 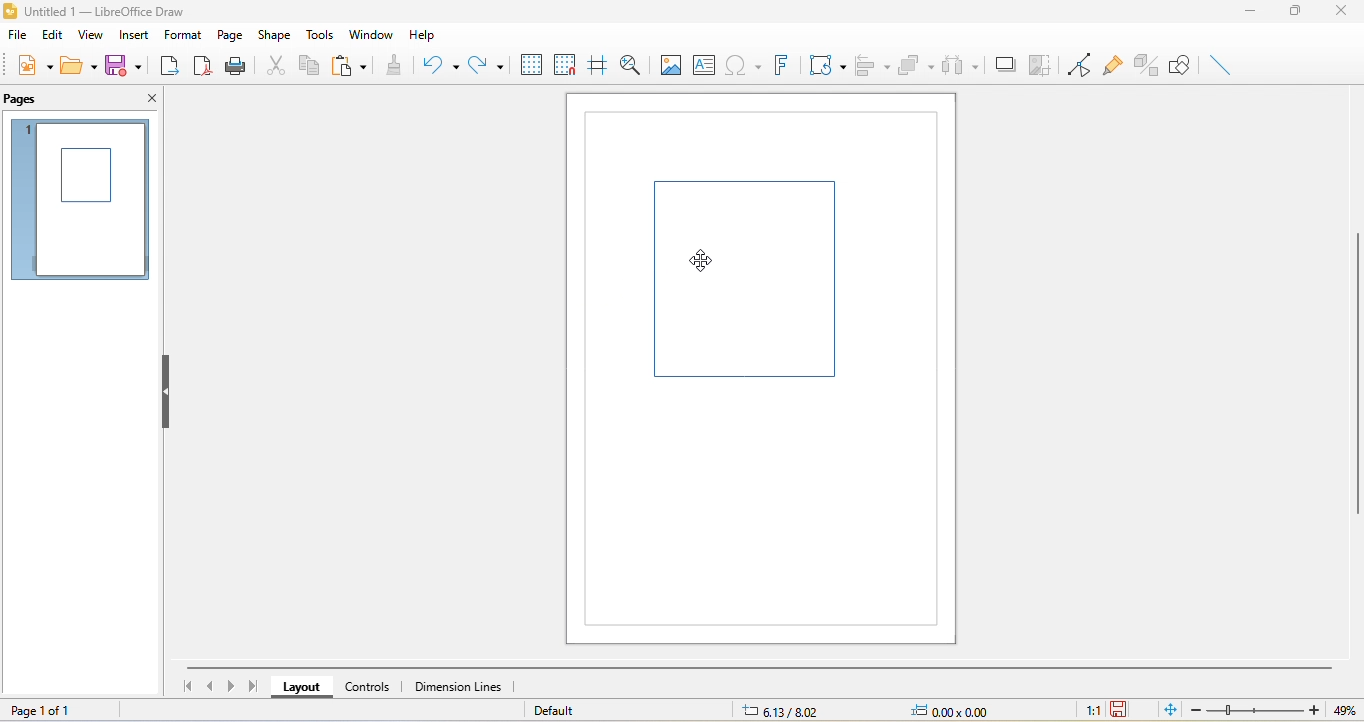 What do you see at coordinates (76, 65) in the screenshot?
I see `open` at bounding box center [76, 65].